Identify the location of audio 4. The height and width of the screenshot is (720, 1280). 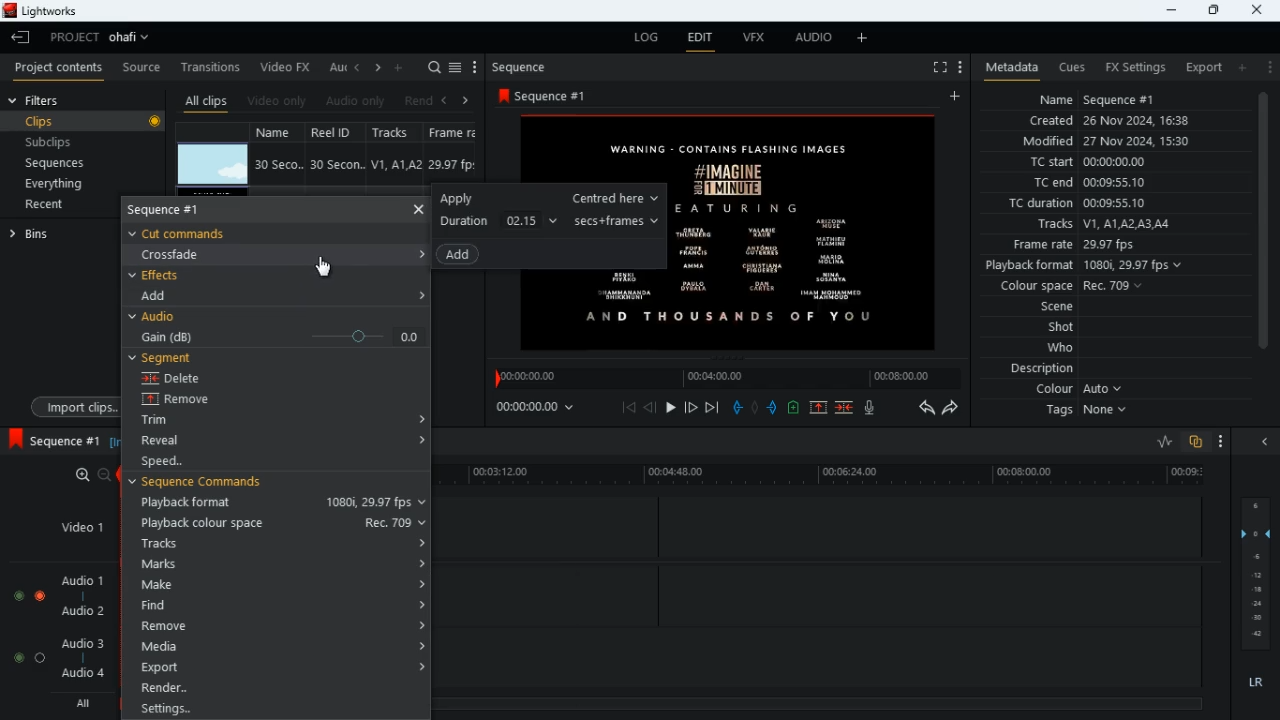
(81, 676).